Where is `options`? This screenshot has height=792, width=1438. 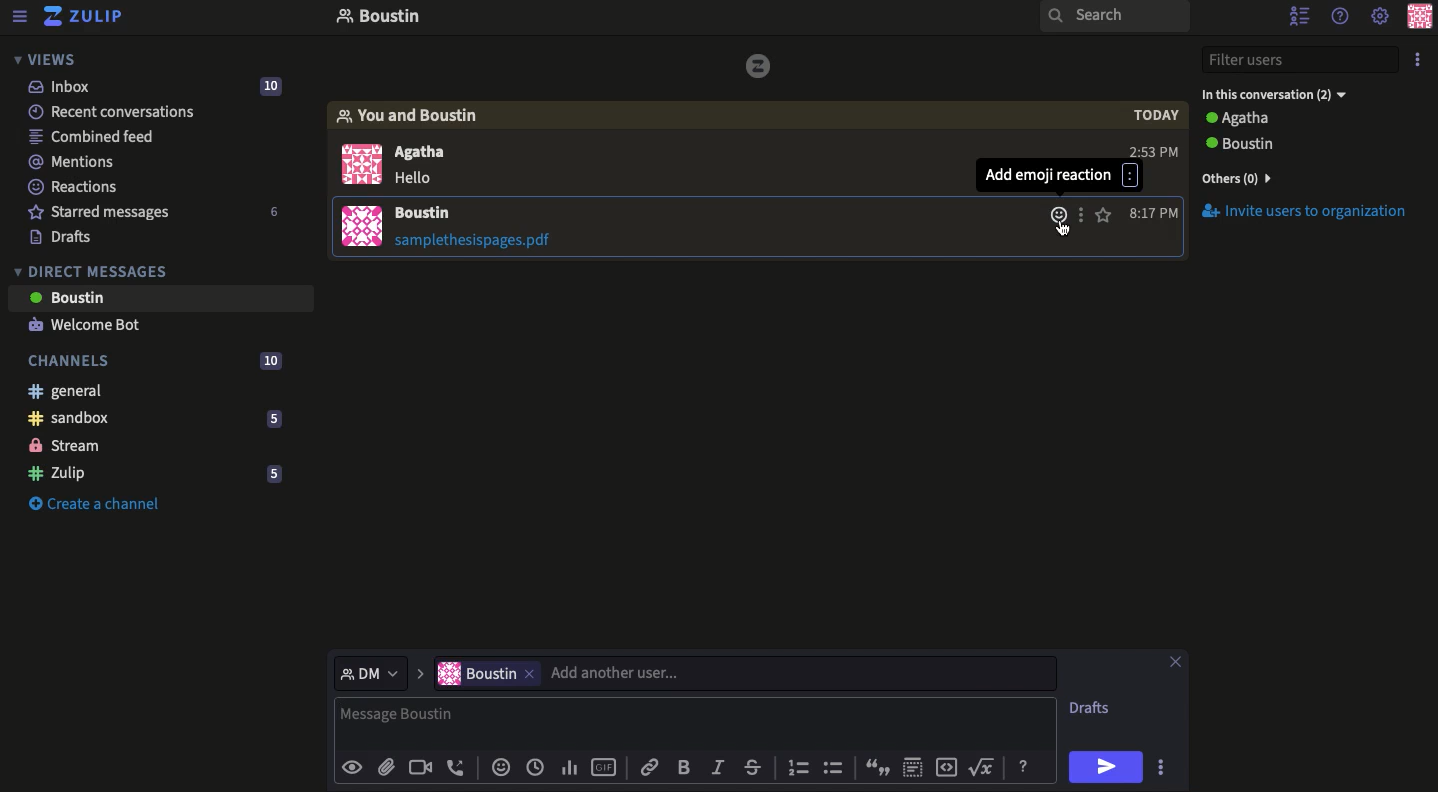 options is located at coordinates (1078, 214).